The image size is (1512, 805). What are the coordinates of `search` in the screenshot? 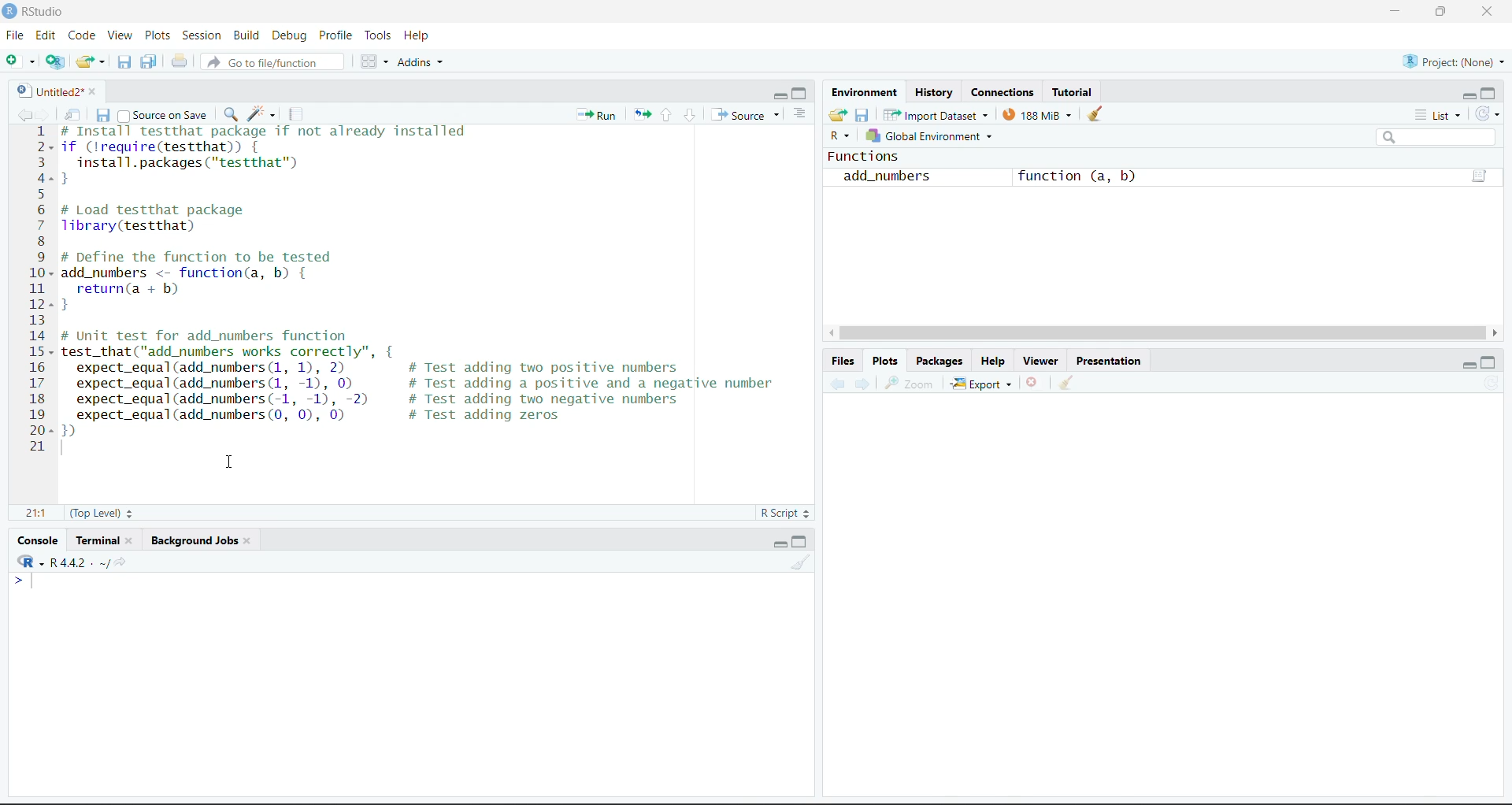 It's located at (1437, 138).